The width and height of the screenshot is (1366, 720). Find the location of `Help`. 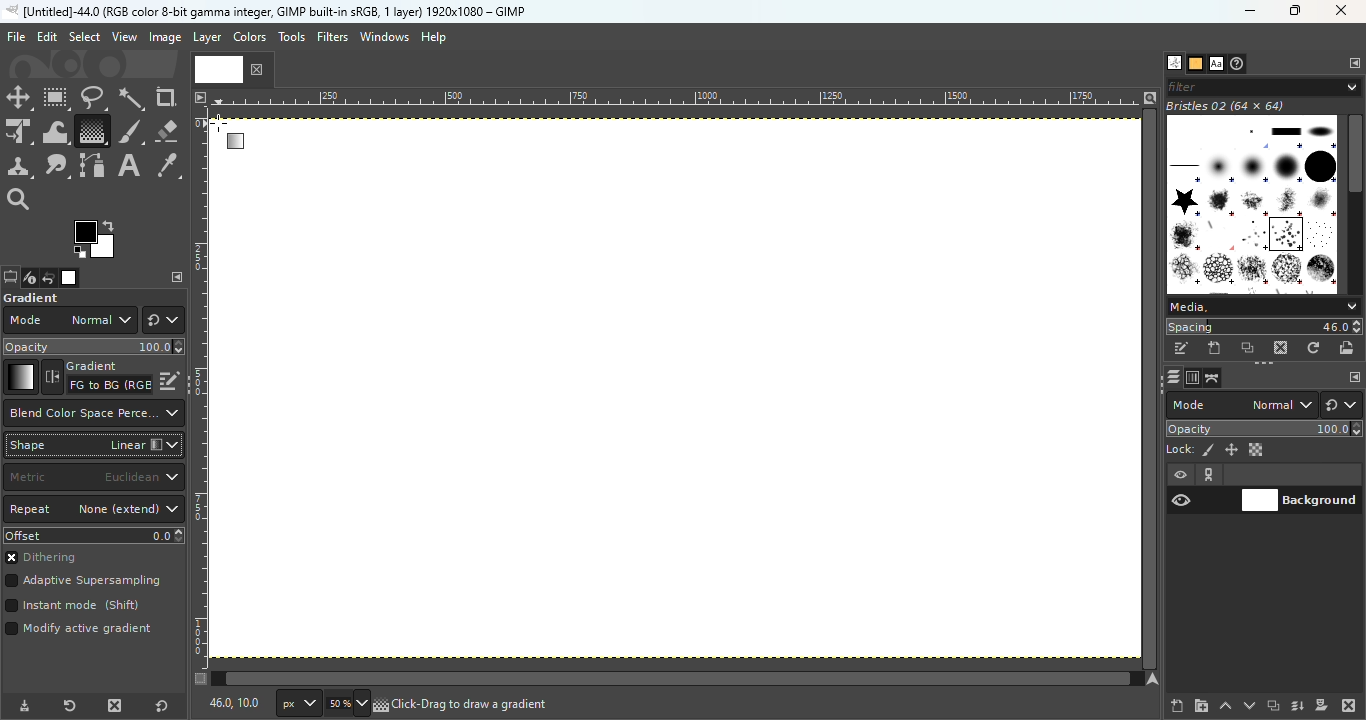

Help is located at coordinates (436, 37).